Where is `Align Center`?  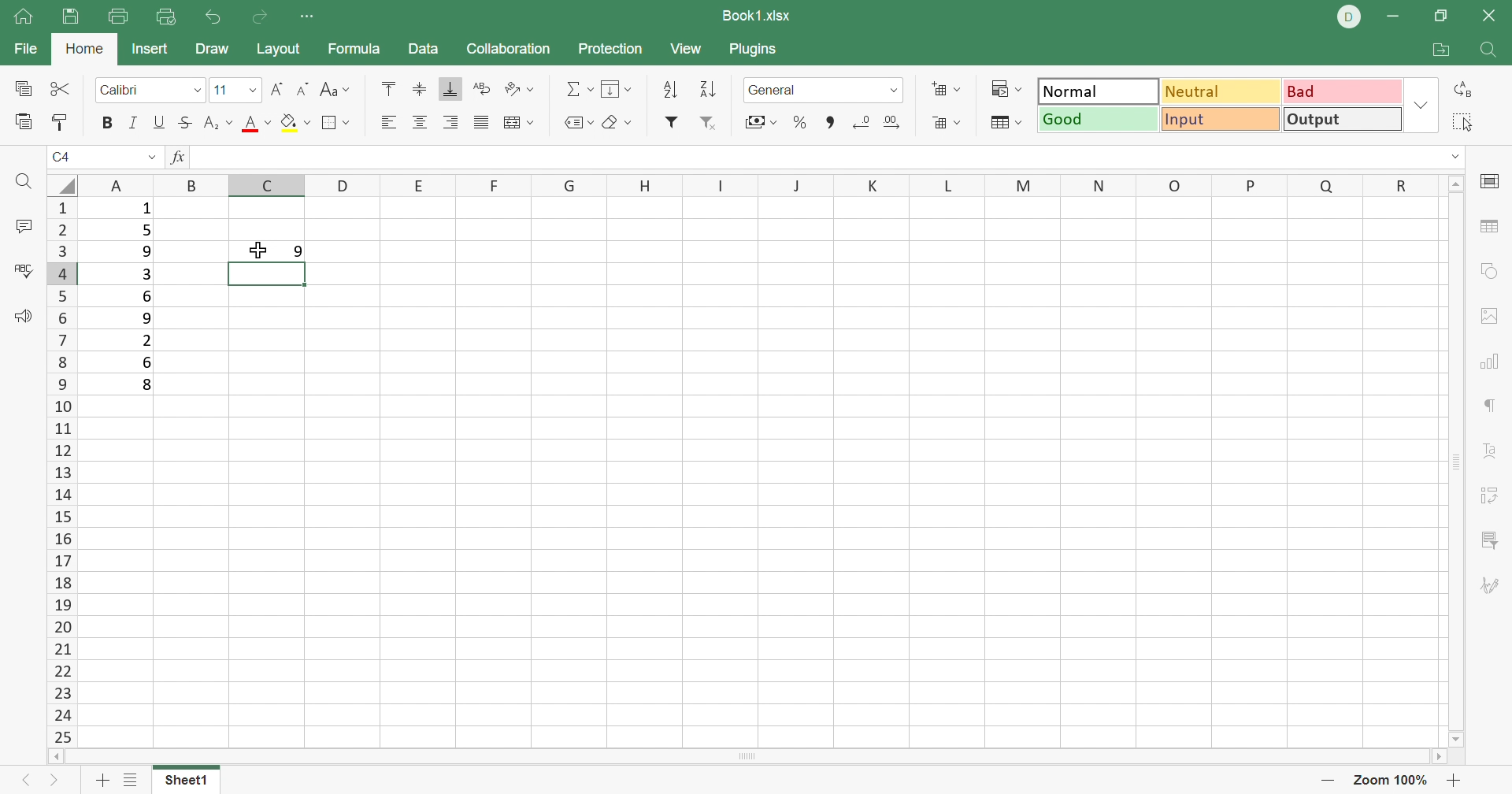
Align Center is located at coordinates (420, 122).